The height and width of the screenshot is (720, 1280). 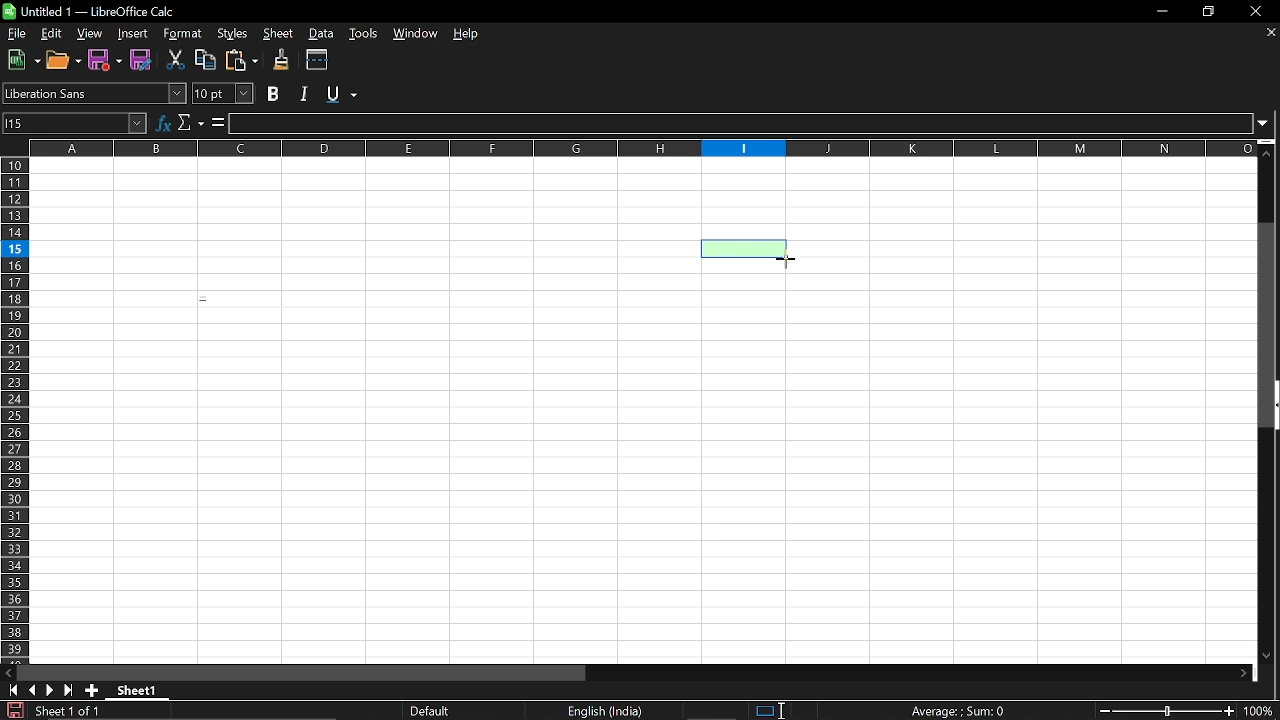 I want to click on View, so click(x=90, y=34).